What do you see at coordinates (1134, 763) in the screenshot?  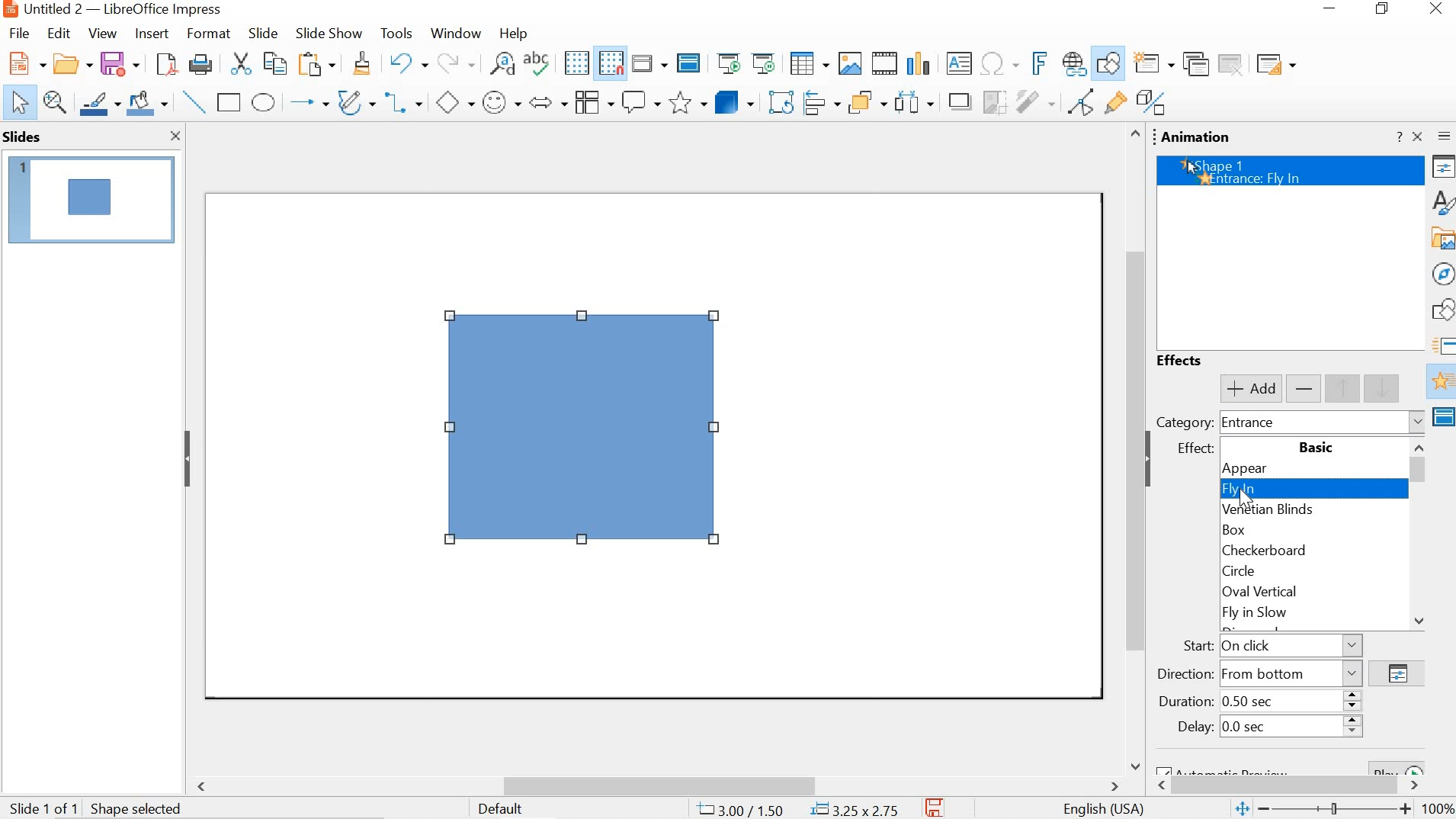 I see `Move down` at bounding box center [1134, 763].